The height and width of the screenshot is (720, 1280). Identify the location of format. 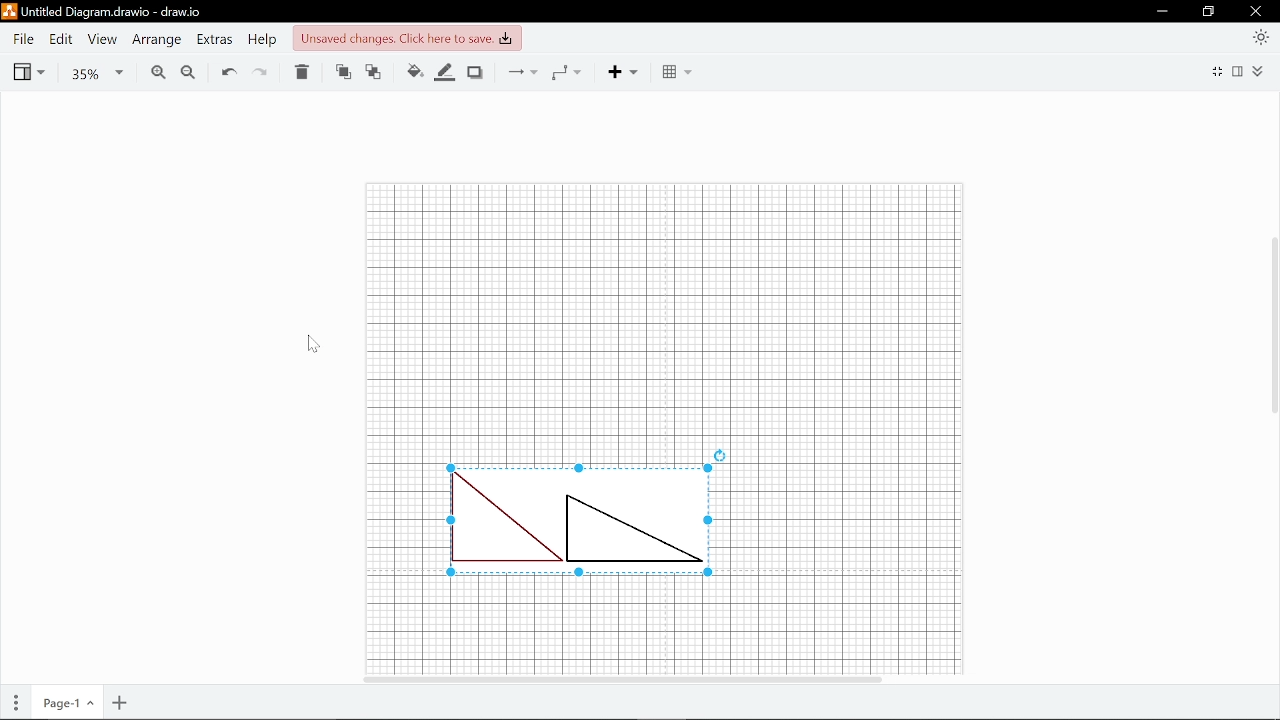
(1239, 74).